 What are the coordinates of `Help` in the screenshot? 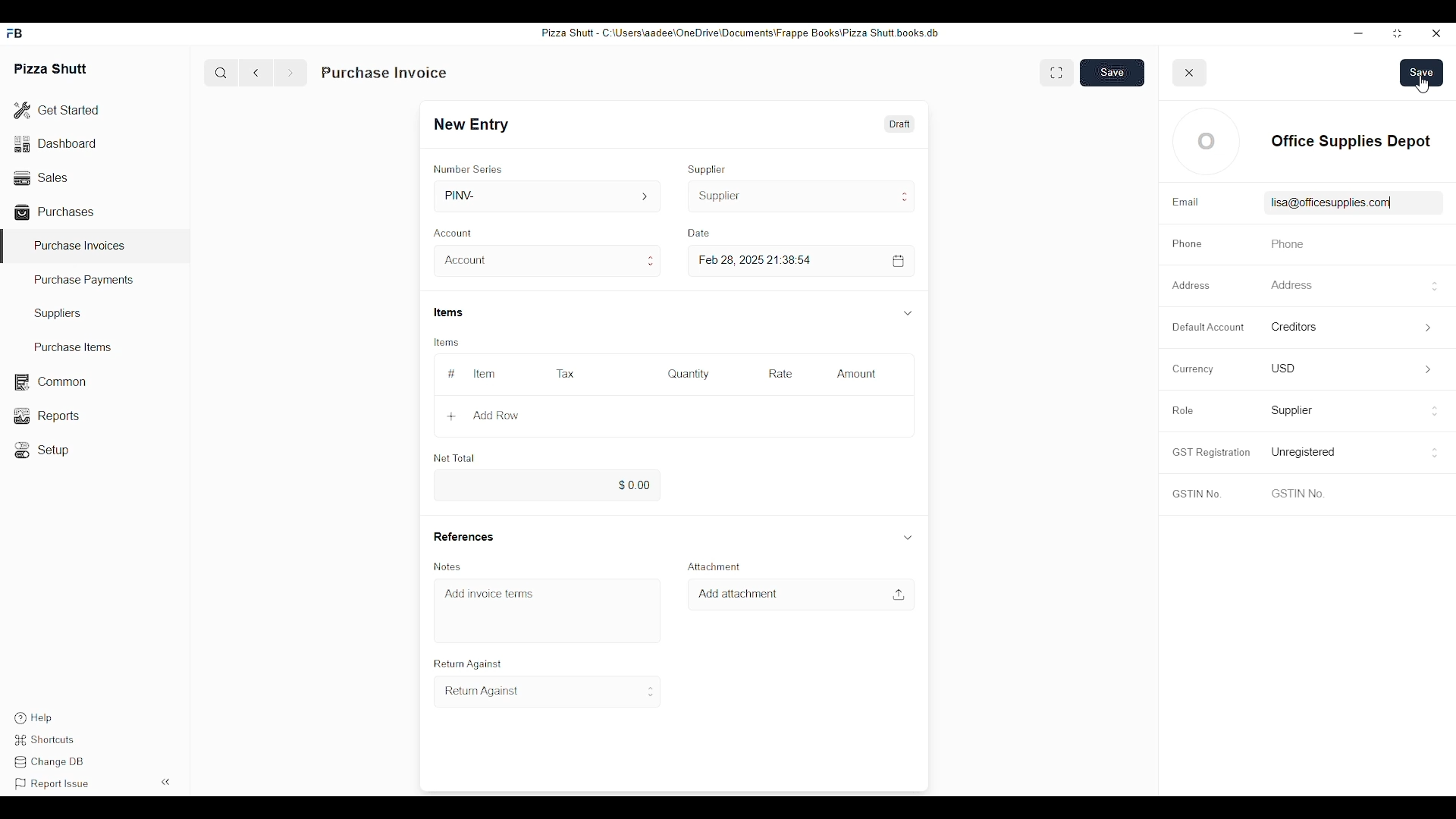 It's located at (32, 718).